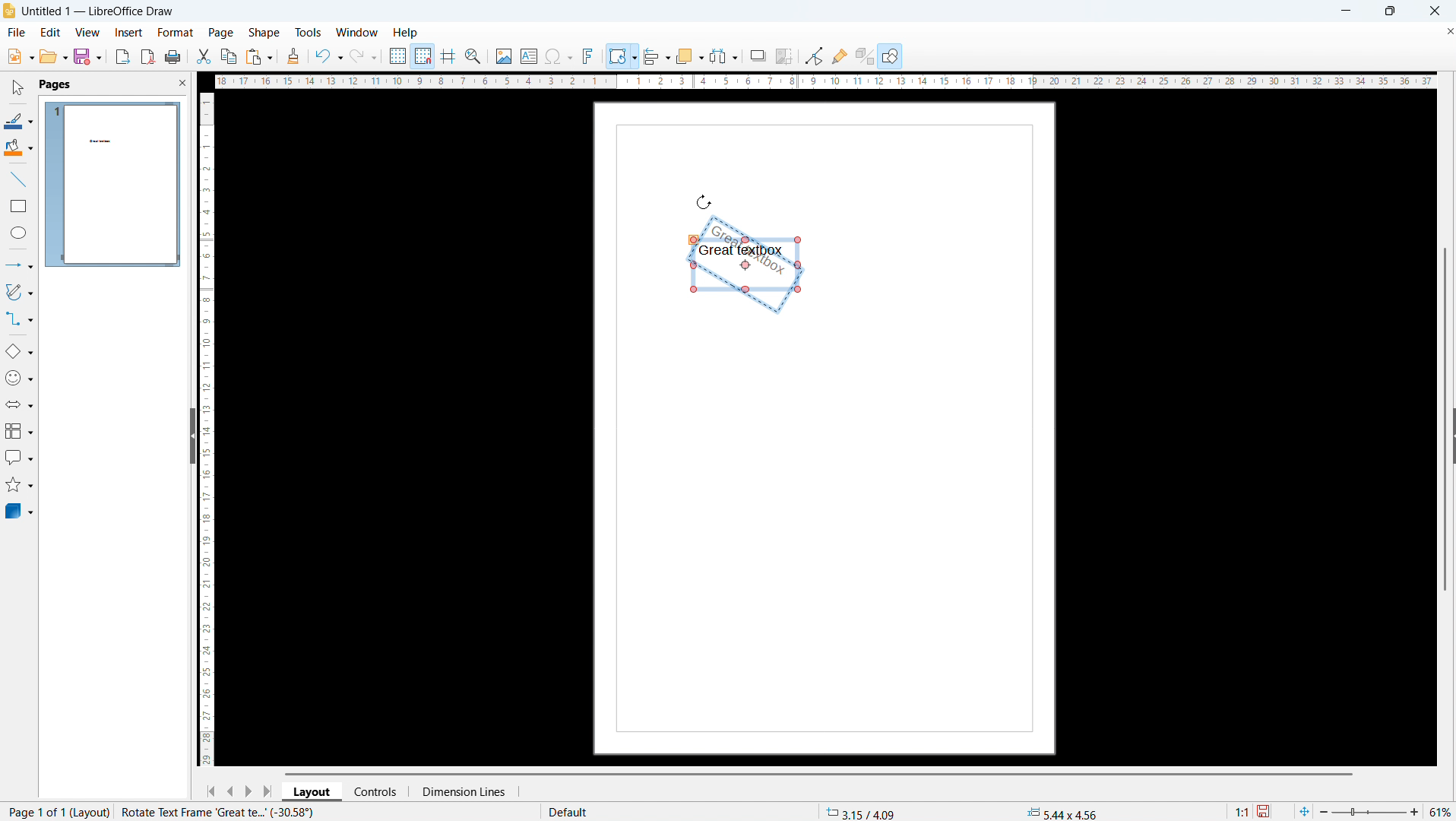 The width and height of the screenshot is (1456, 821). What do you see at coordinates (293, 55) in the screenshot?
I see `clone formatting` at bounding box center [293, 55].